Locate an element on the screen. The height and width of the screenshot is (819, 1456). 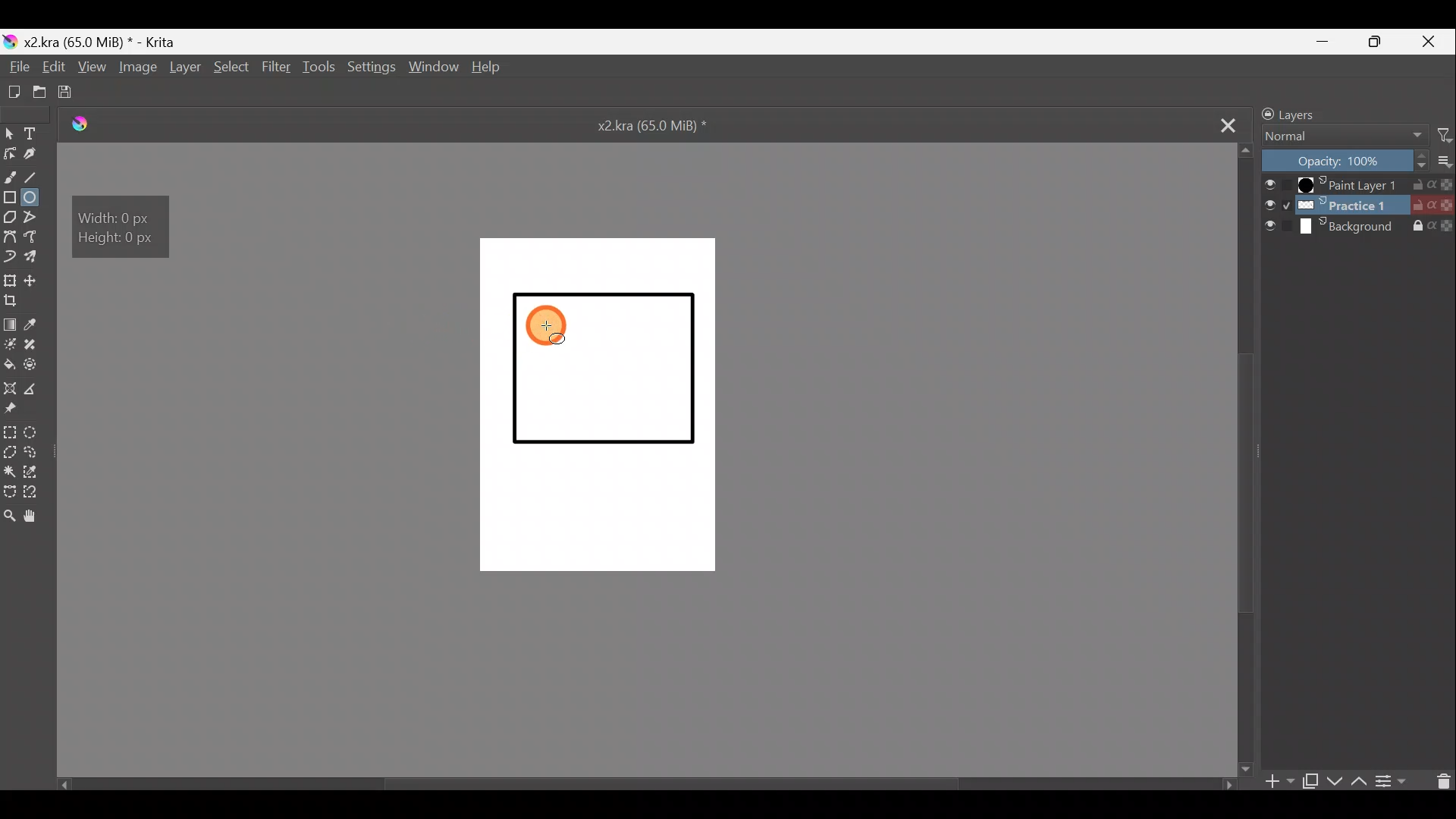
Fill a contiguous area of colour with colour/fill a selection is located at coordinates (9, 365).